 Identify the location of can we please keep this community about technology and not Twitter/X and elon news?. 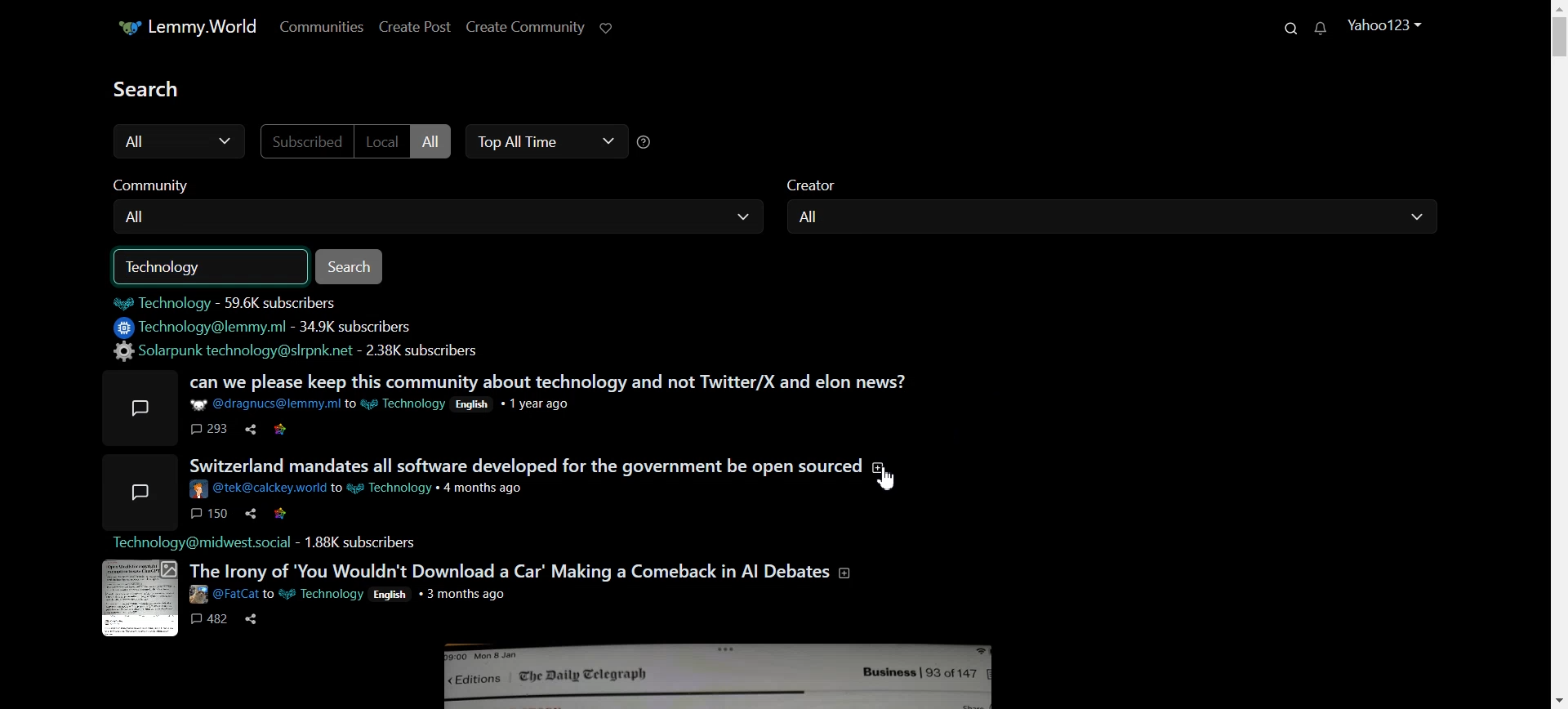
(550, 381).